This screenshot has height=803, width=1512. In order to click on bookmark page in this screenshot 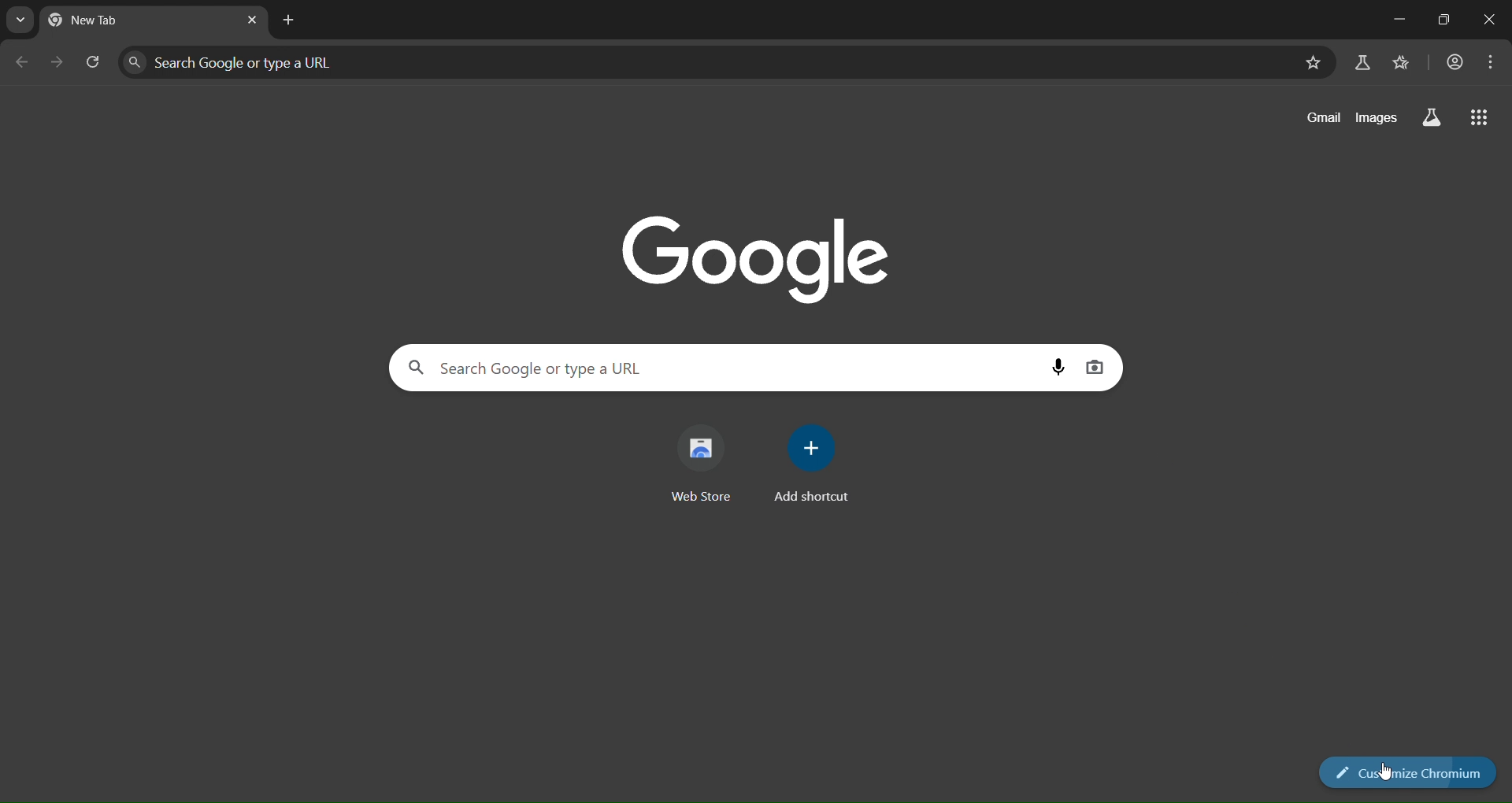, I will do `click(1313, 64)`.